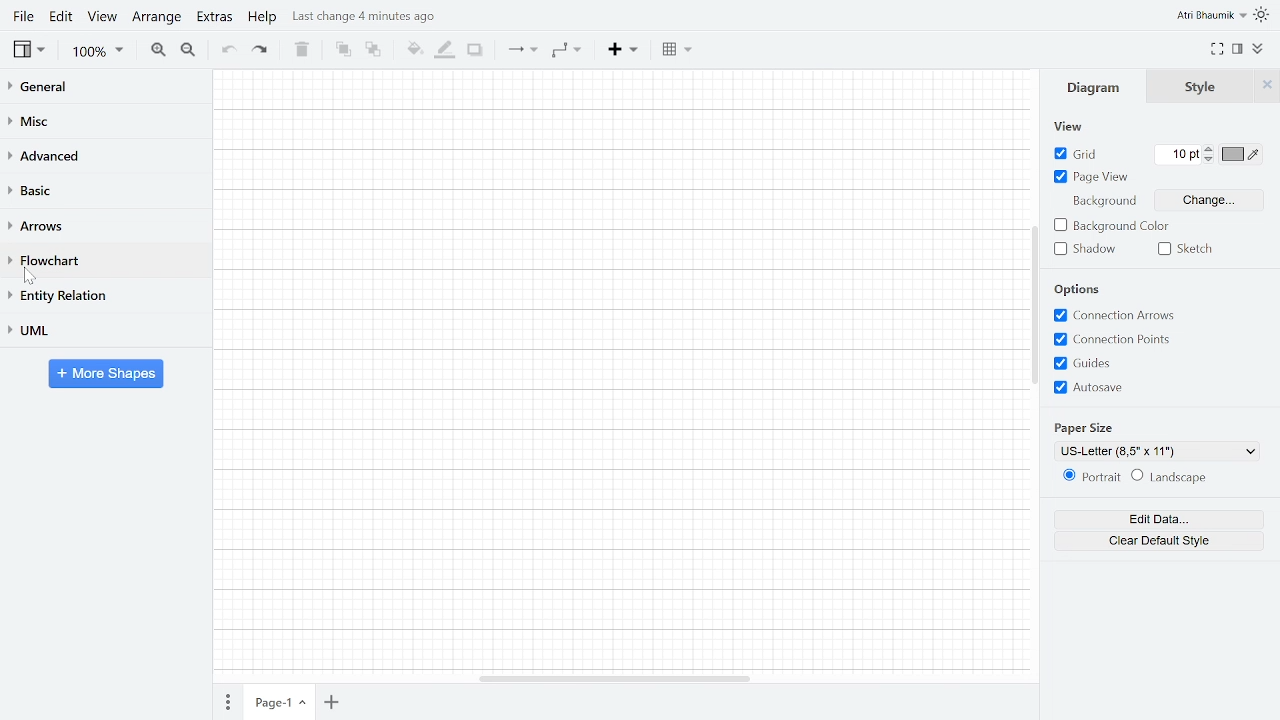 The height and width of the screenshot is (720, 1280). What do you see at coordinates (214, 20) in the screenshot?
I see `Extras` at bounding box center [214, 20].